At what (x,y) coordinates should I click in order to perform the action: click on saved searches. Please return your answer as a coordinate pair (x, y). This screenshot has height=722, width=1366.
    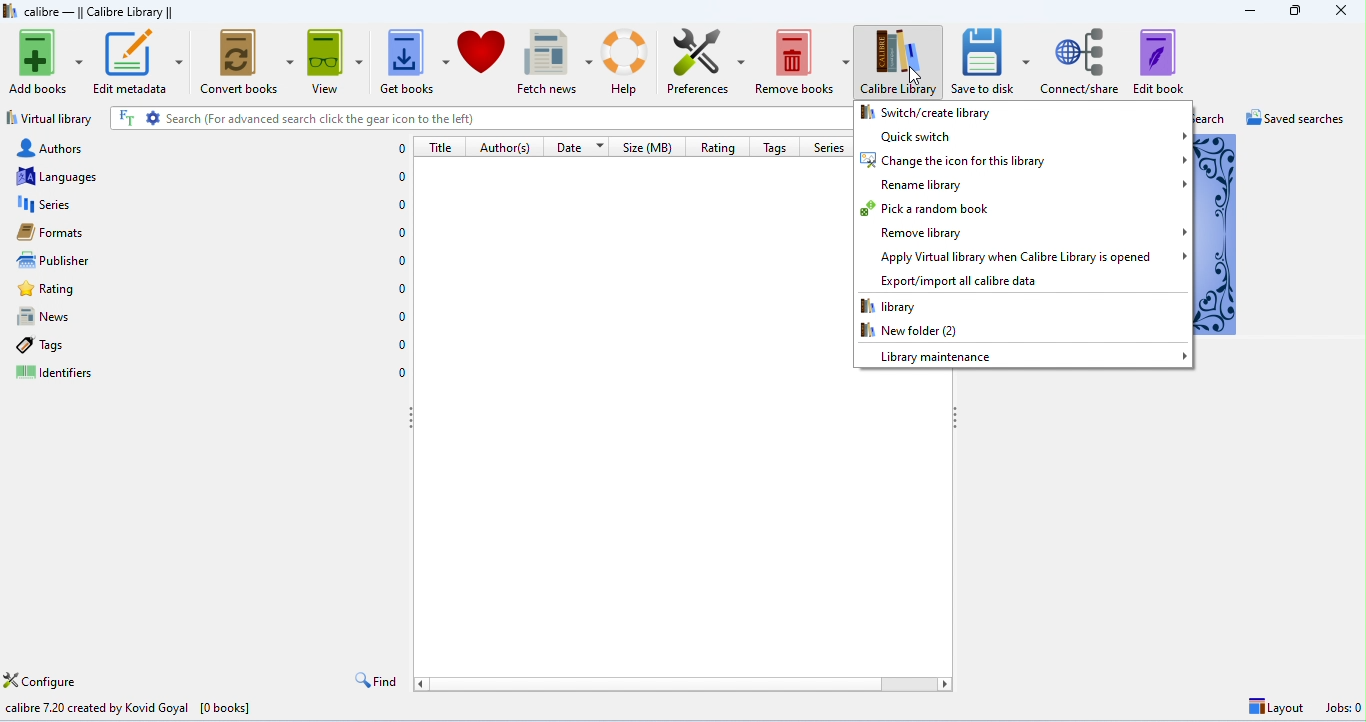
    Looking at the image, I should click on (1299, 119).